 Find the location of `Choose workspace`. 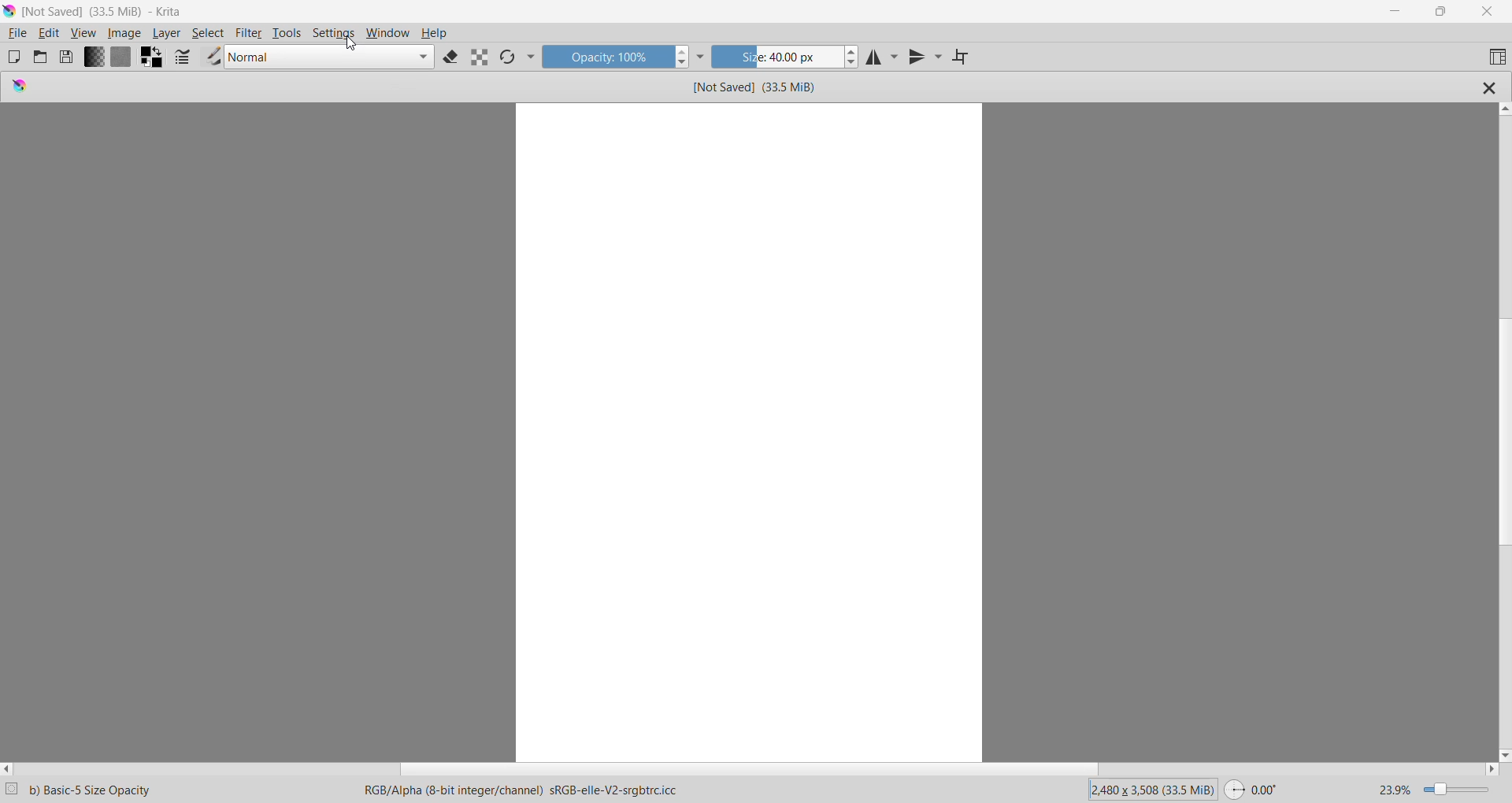

Choose workspace is located at coordinates (1496, 57).